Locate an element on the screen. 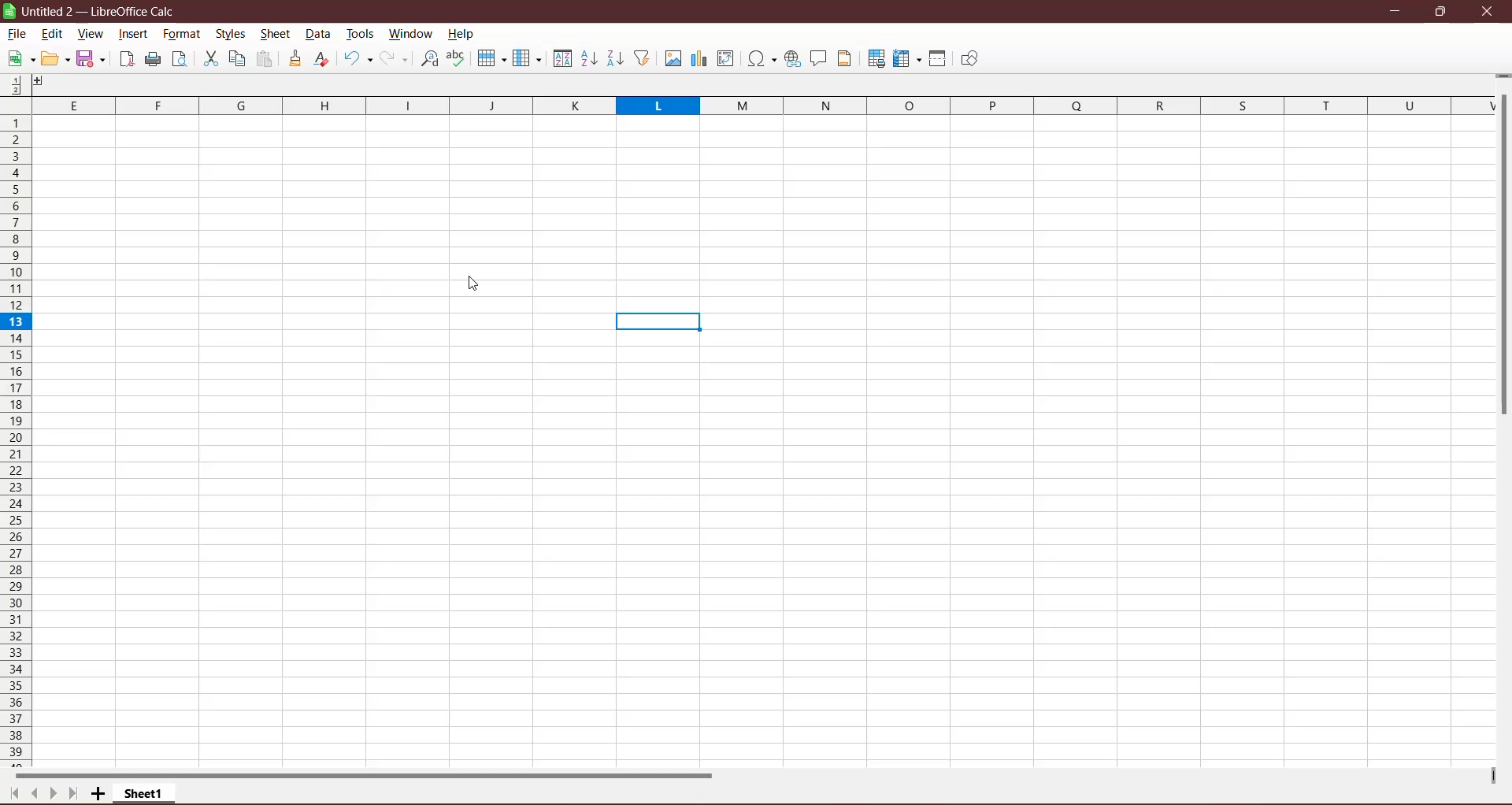 The width and height of the screenshot is (1512, 805). Insert or Edit Pivot table is located at coordinates (726, 57).